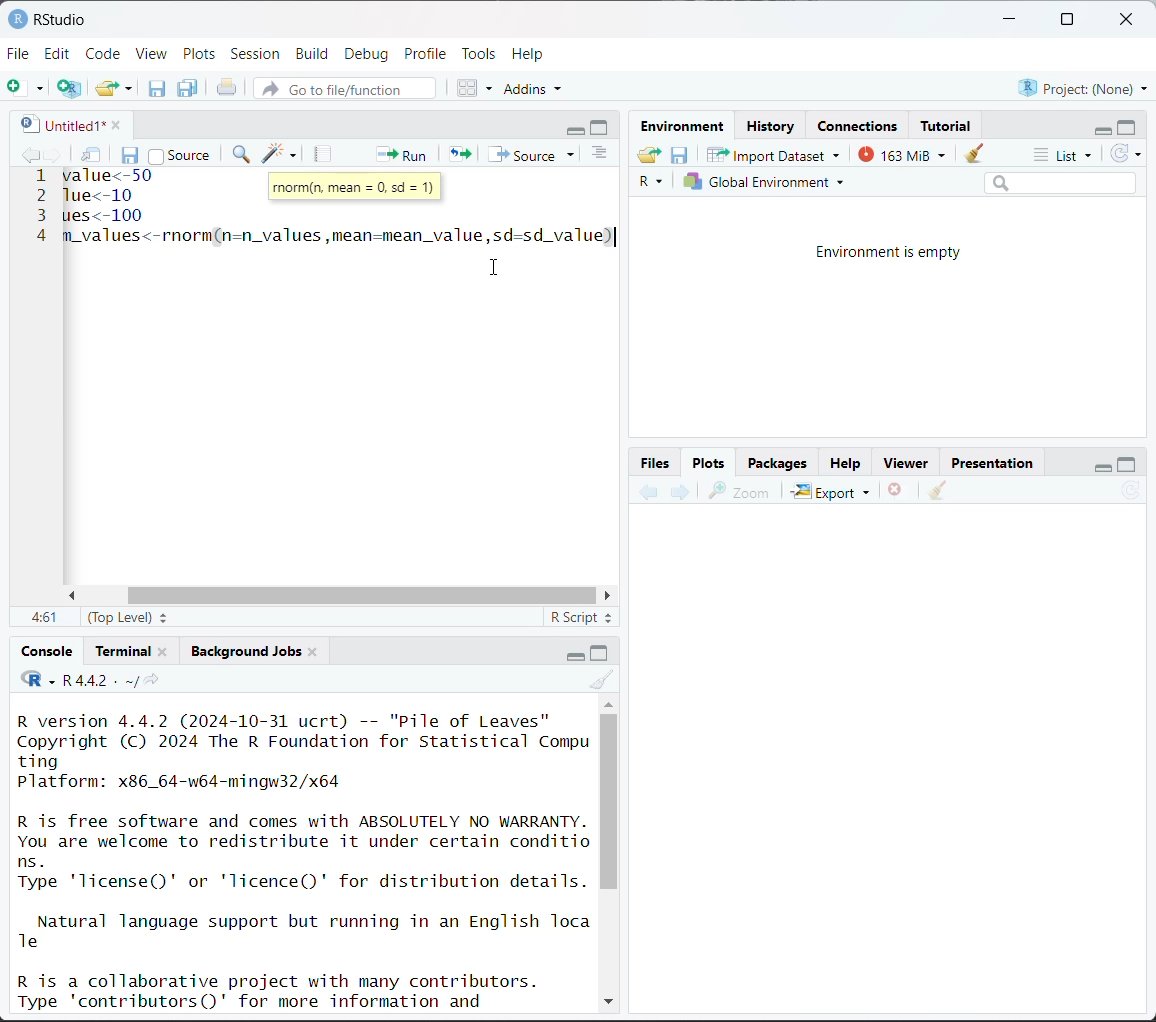 This screenshot has height=1022, width=1156. Describe the element at coordinates (41, 205) in the screenshot. I see `line number` at that location.